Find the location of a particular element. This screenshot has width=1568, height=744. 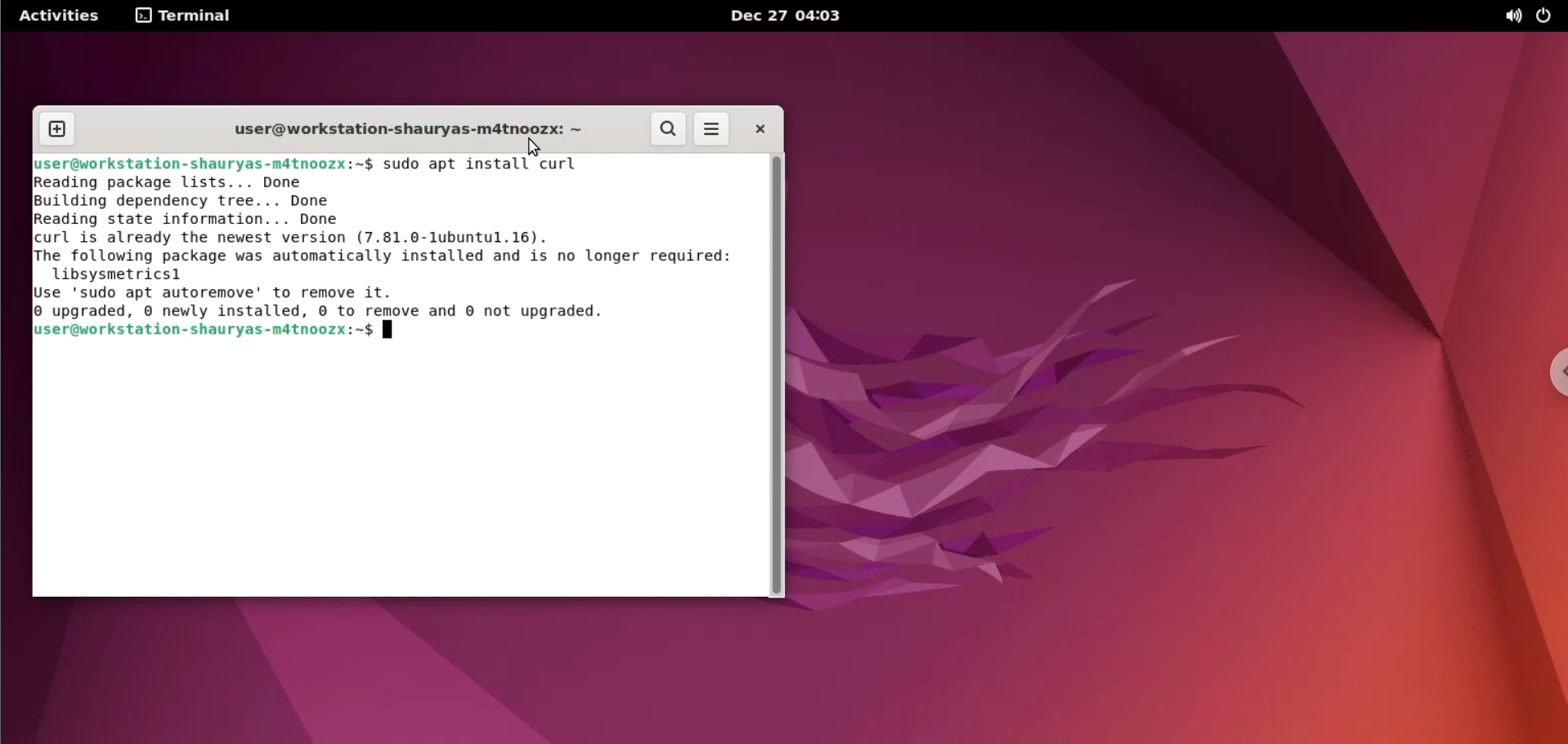

sudo apt install curl is located at coordinates (491, 164).